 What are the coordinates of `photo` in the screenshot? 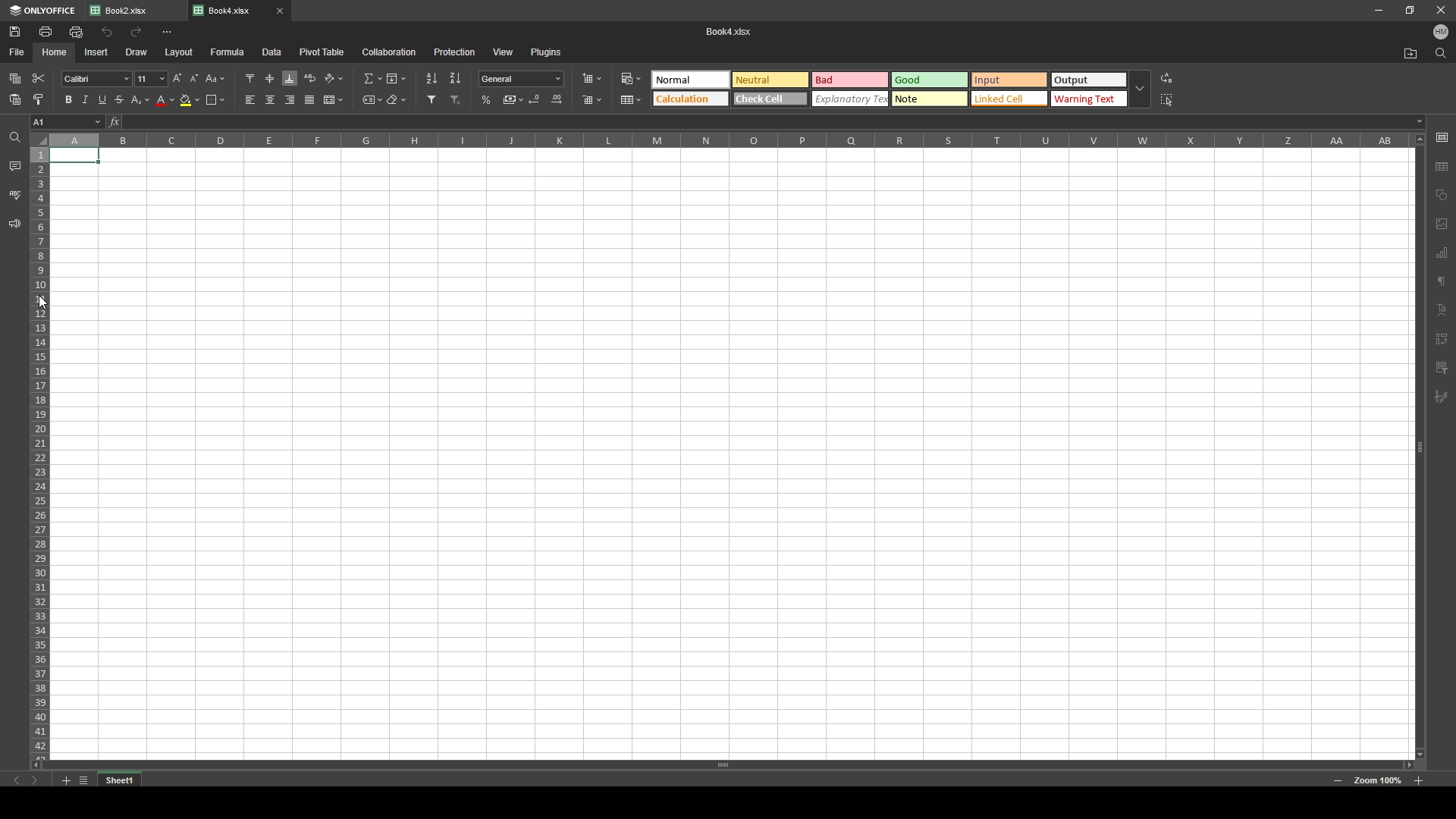 It's located at (1442, 225).